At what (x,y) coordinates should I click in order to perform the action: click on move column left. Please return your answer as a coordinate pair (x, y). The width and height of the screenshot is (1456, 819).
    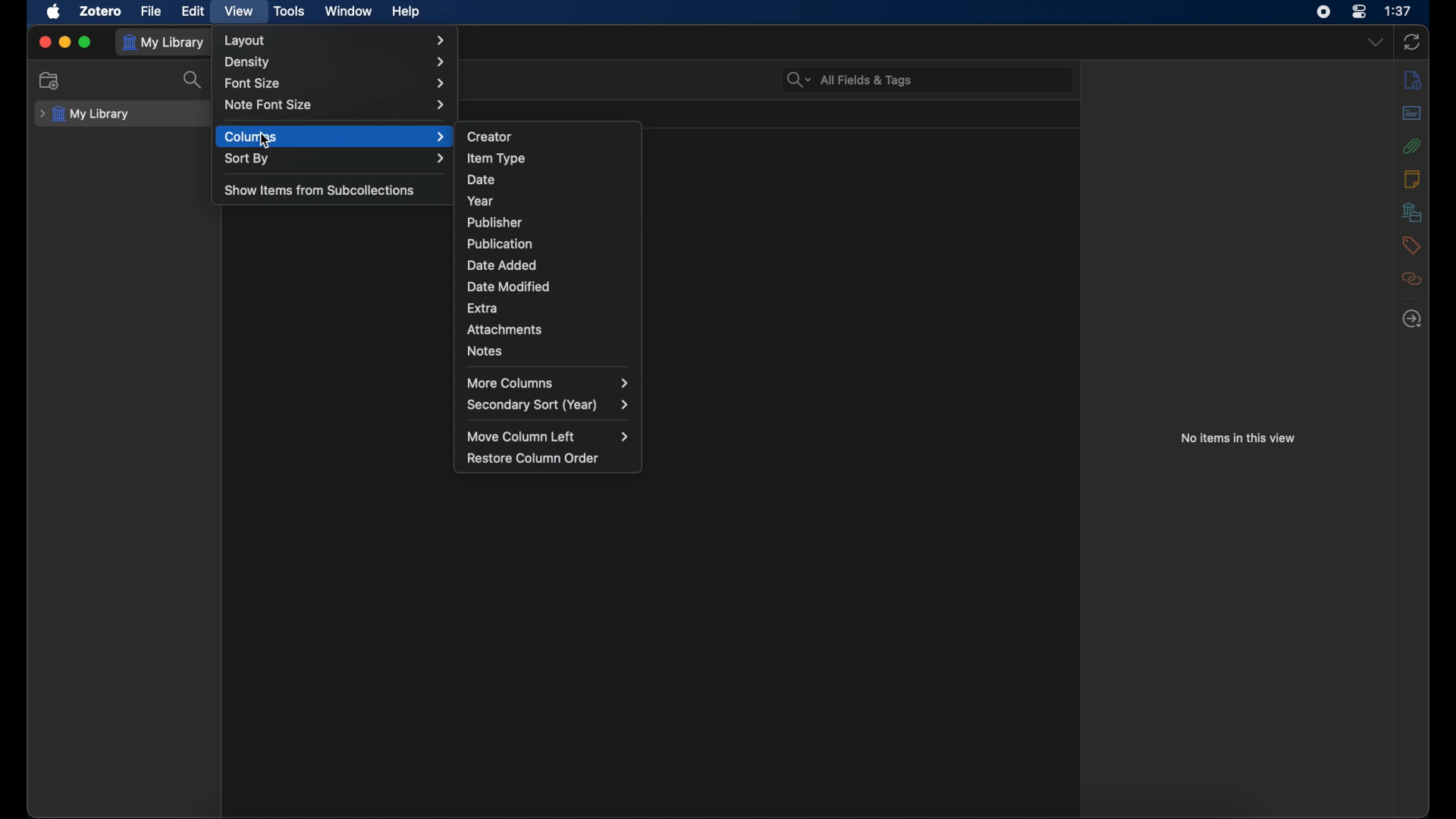
    Looking at the image, I should click on (549, 437).